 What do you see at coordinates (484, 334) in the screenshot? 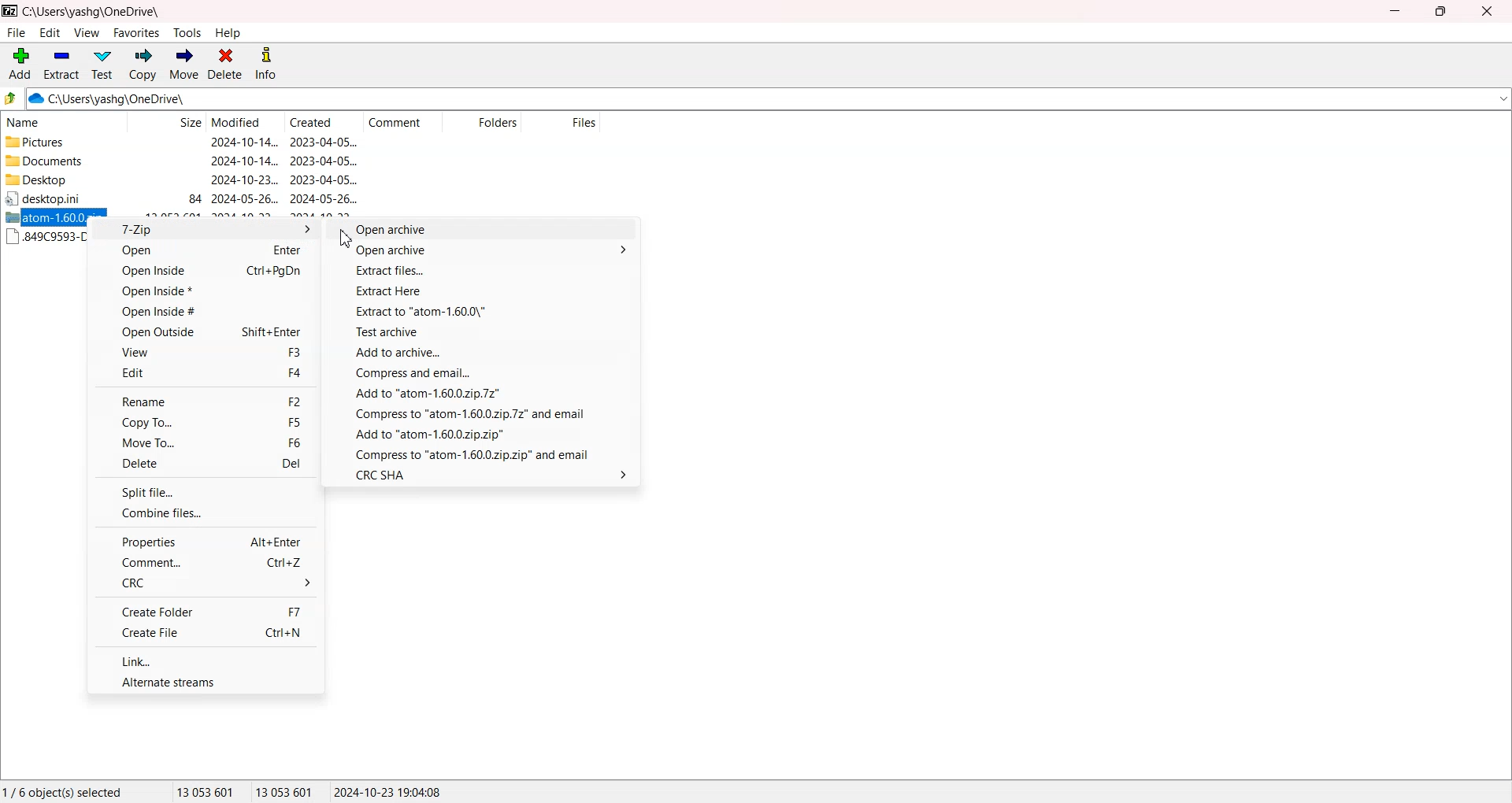
I see `Test Archive` at bounding box center [484, 334].